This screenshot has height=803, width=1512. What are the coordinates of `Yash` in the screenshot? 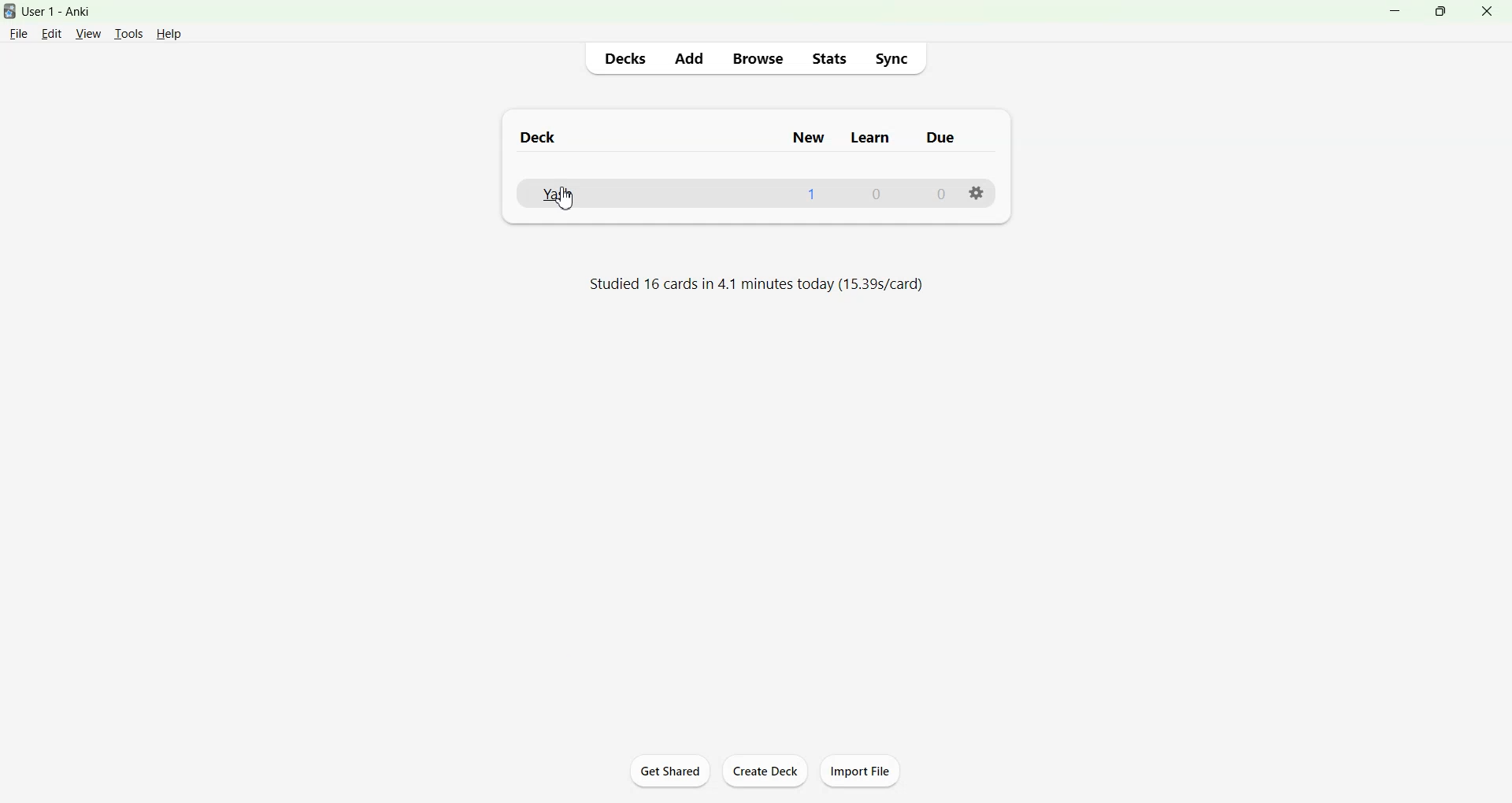 It's located at (561, 194).